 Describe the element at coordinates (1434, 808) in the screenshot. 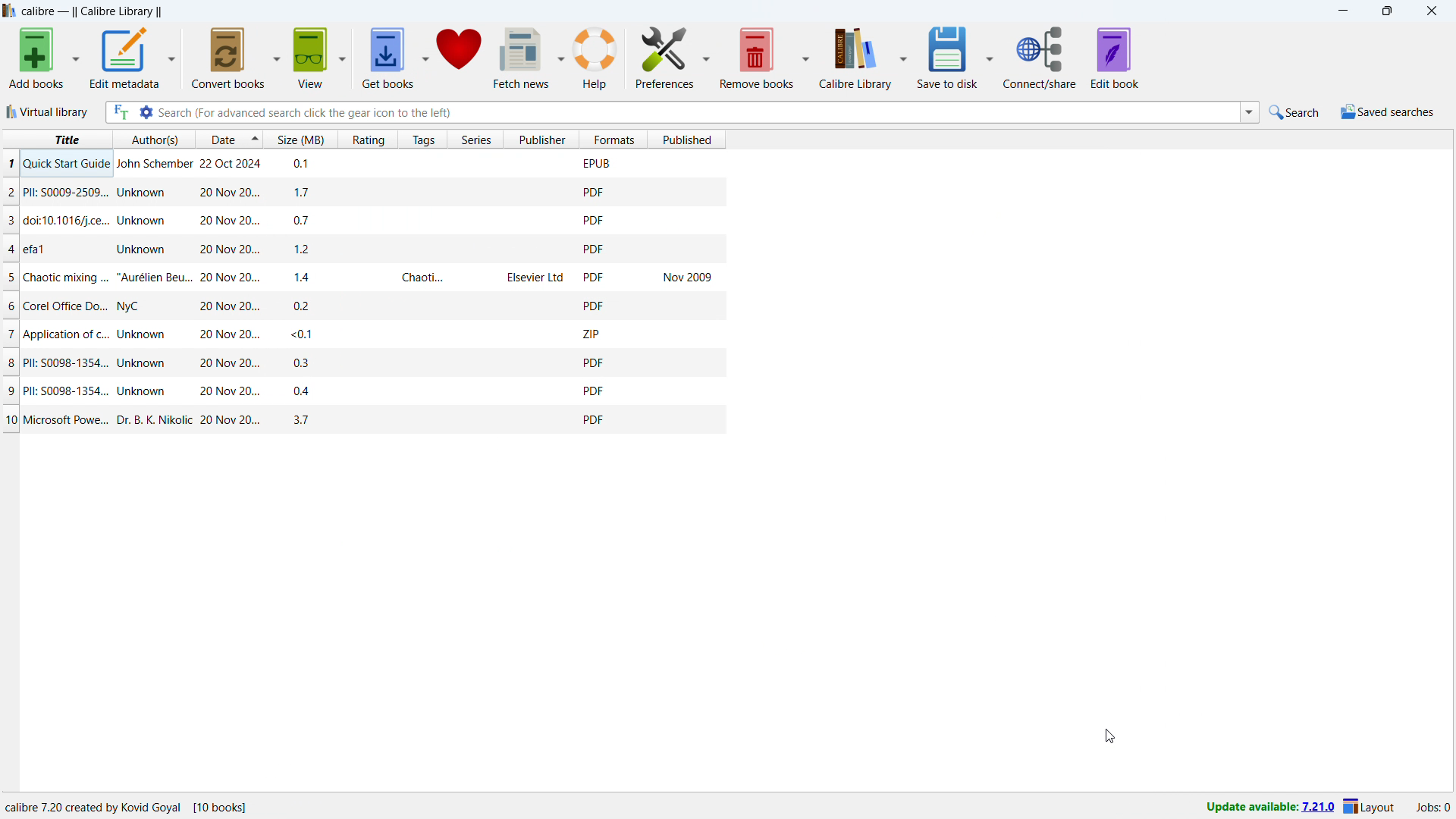

I see `active jobs` at that location.